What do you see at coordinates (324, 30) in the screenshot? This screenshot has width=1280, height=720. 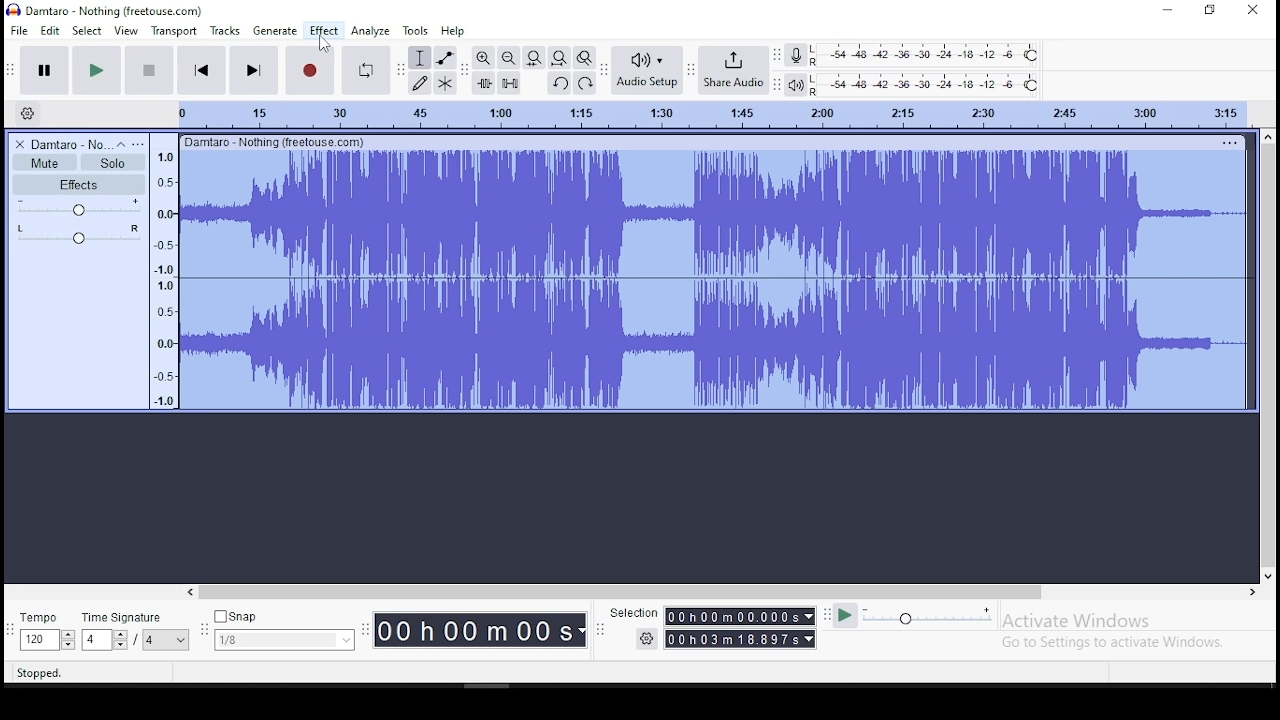 I see `effect` at bounding box center [324, 30].